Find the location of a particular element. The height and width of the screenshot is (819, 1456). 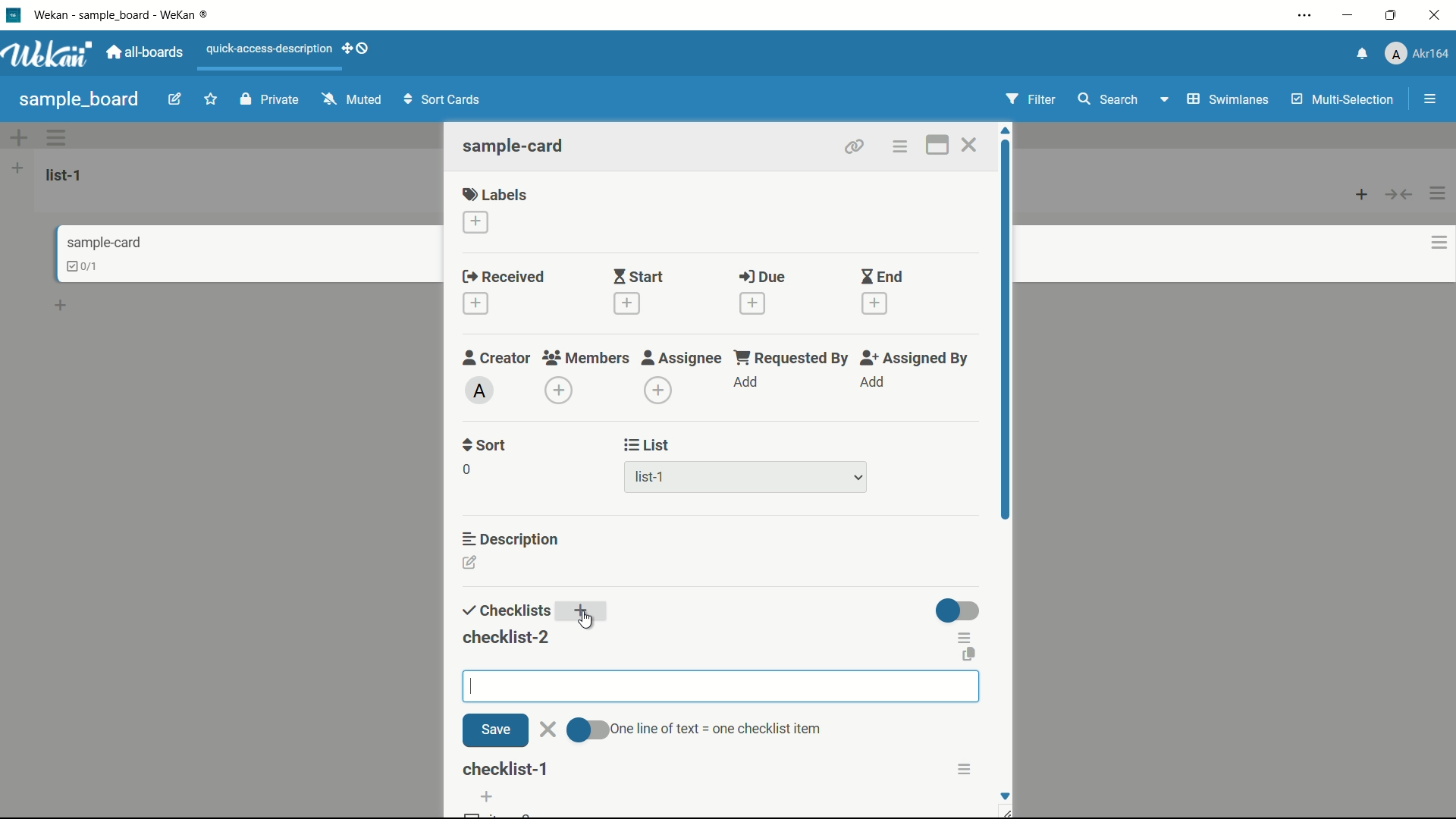

assignee is located at coordinates (682, 358).